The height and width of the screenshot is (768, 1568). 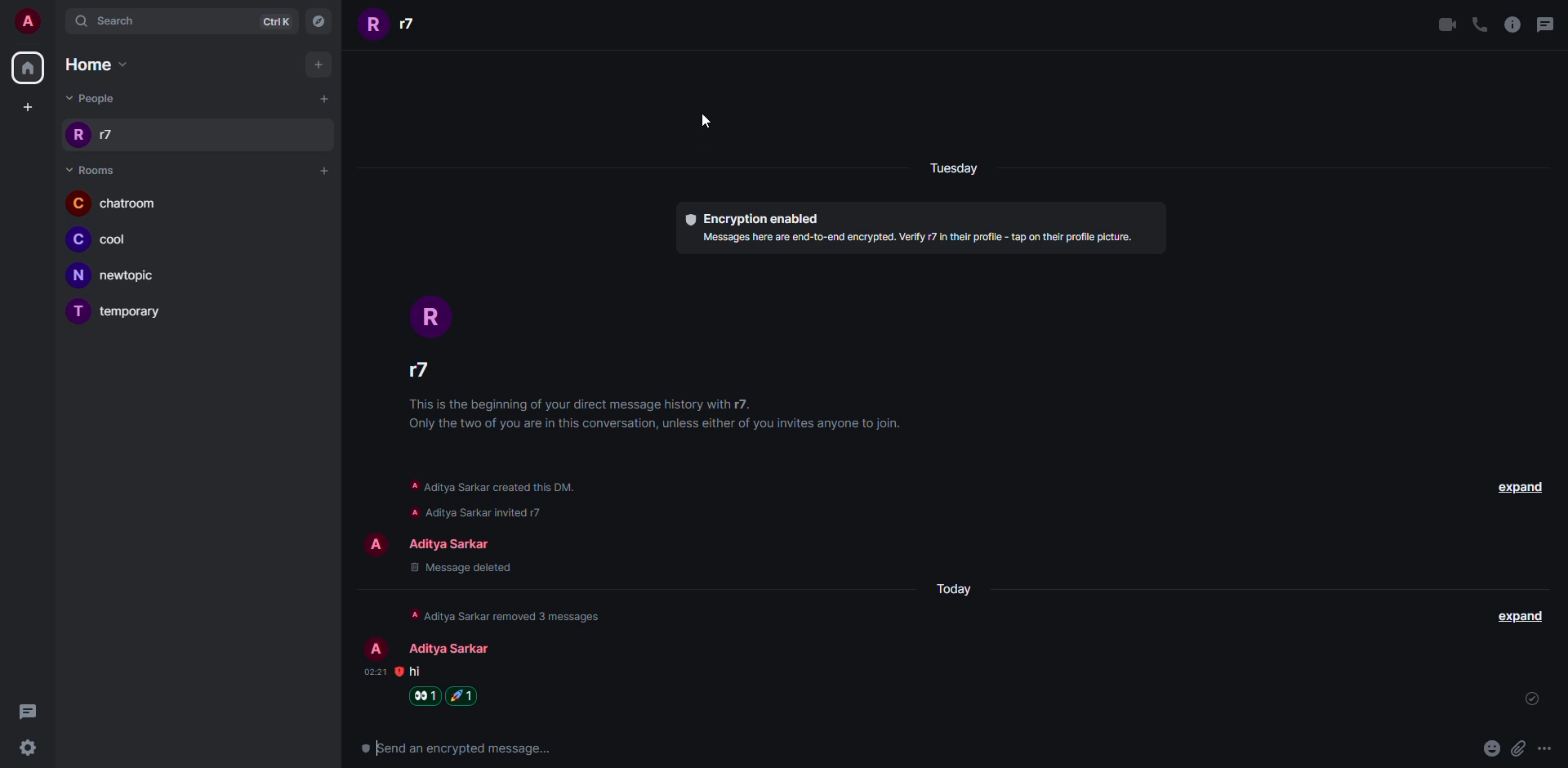 What do you see at coordinates (1447, 24) in the screenshot?
I see `video call` at bounding box center [1447, 24].